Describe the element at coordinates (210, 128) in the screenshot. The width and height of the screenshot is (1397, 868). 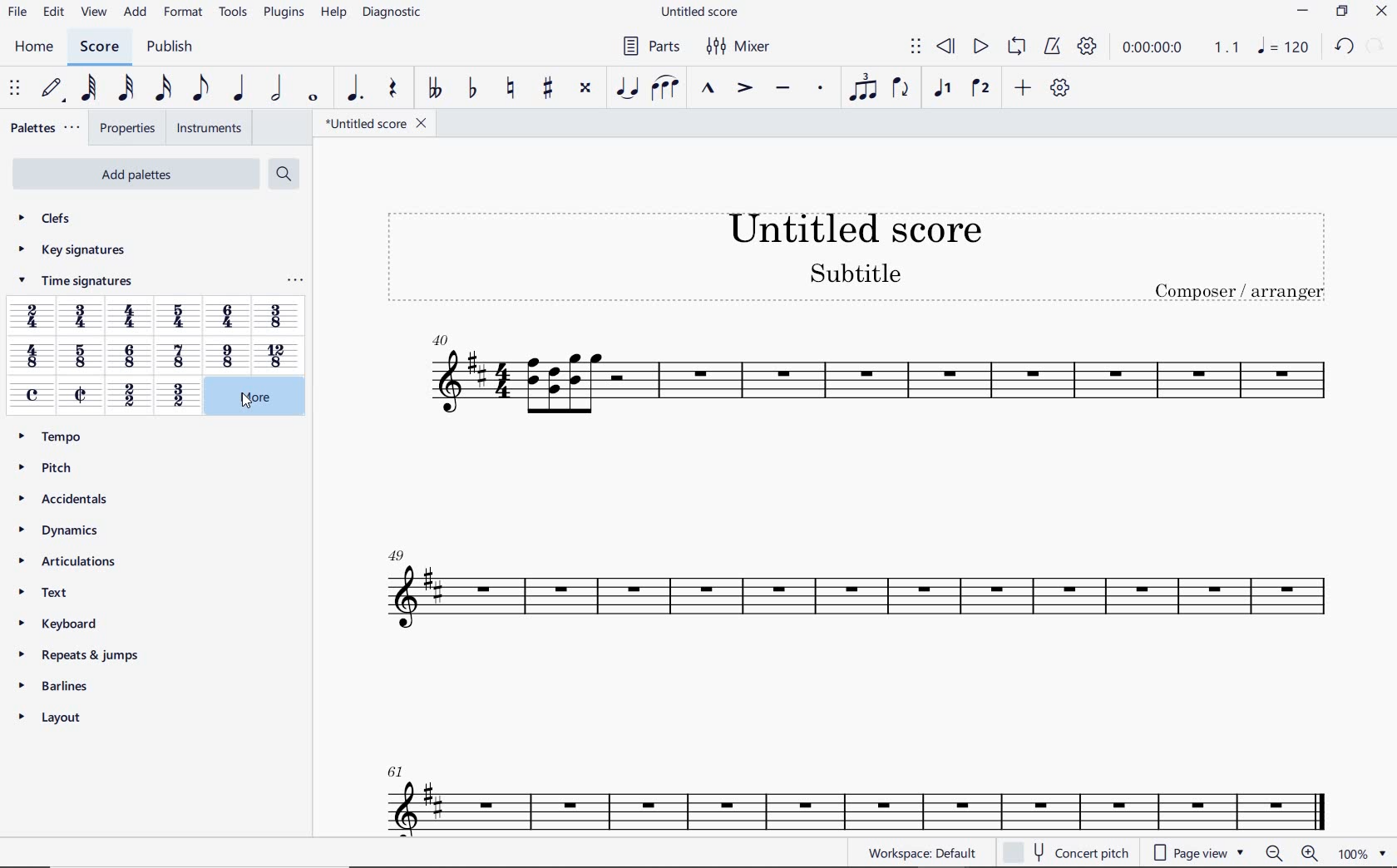
I see `INSTRUMENTS` at that location.